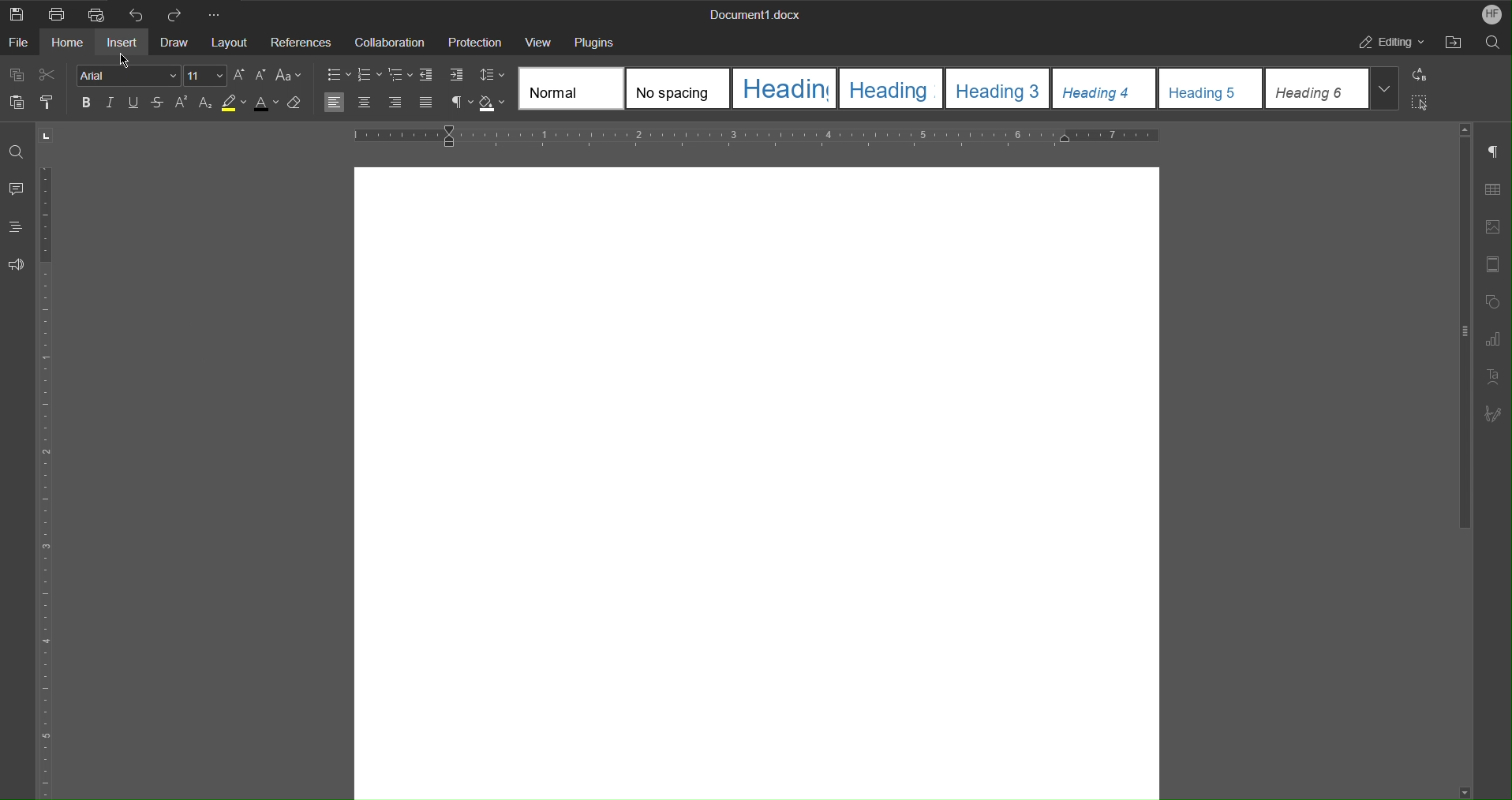  What do you see at coordinates (205, 77) in the screenshot?
I see `Font size` at bounding box center [205, 77].